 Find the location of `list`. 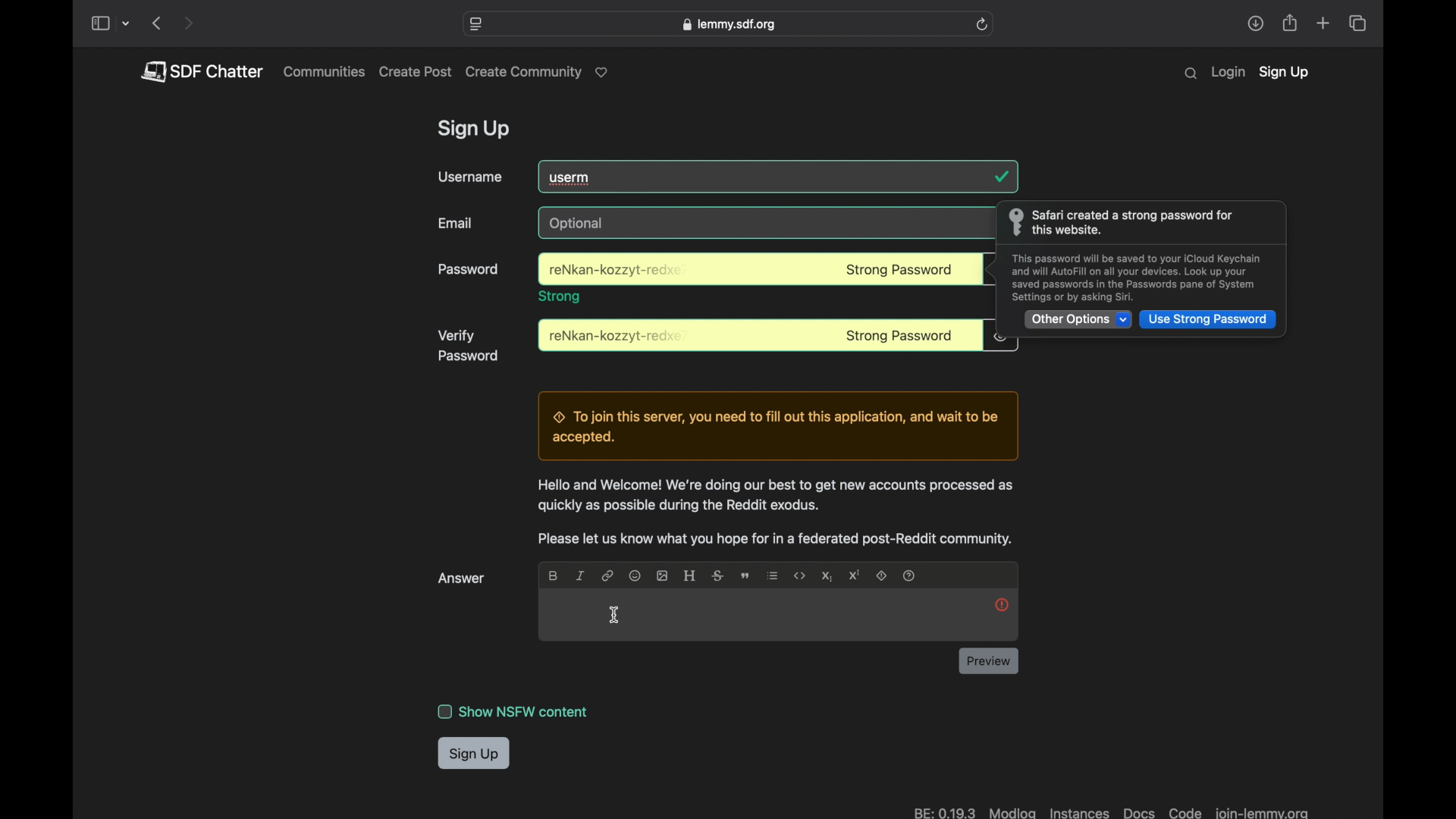

list is located at coordinates (773, 576).